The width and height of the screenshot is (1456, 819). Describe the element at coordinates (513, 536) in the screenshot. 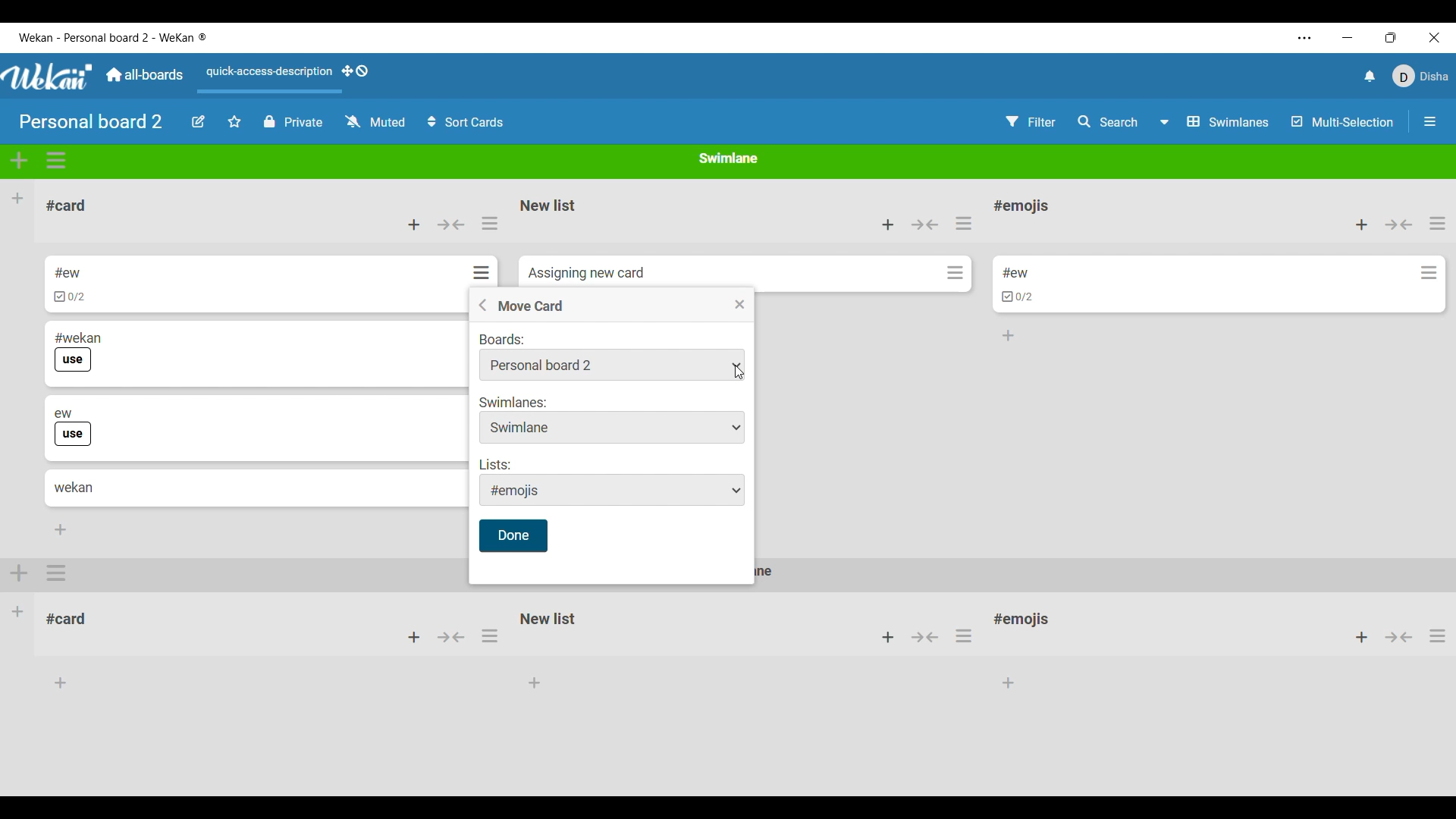

I see `Save inputs` at that location.